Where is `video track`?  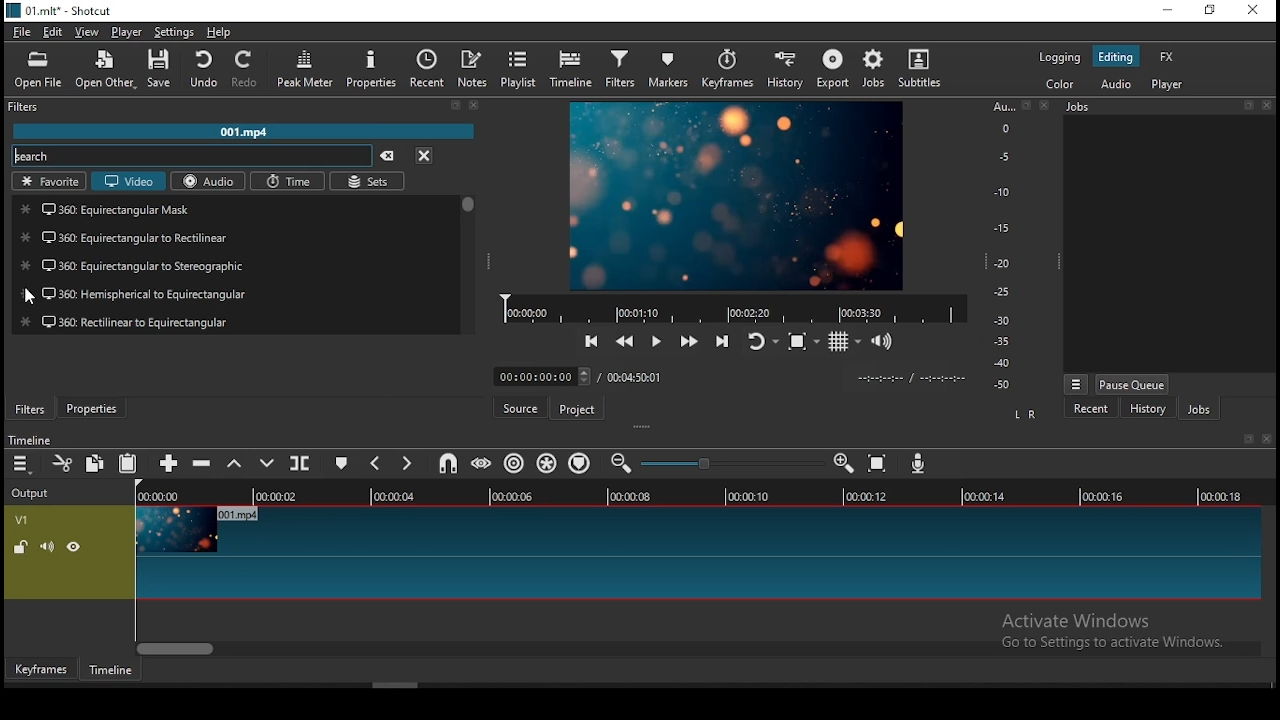 video track is located at coordinates (635, 552).